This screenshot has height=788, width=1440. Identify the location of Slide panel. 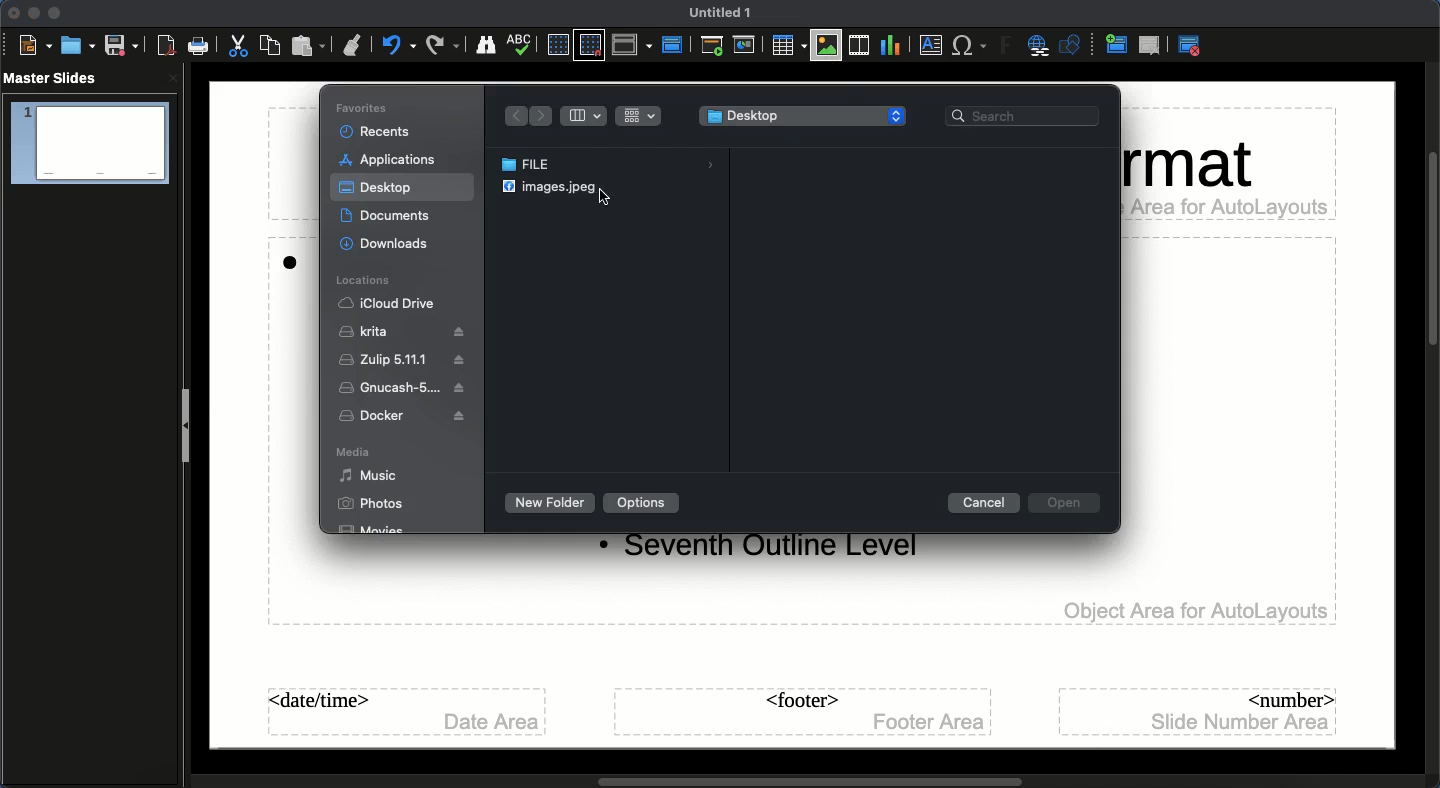
(186, 427).